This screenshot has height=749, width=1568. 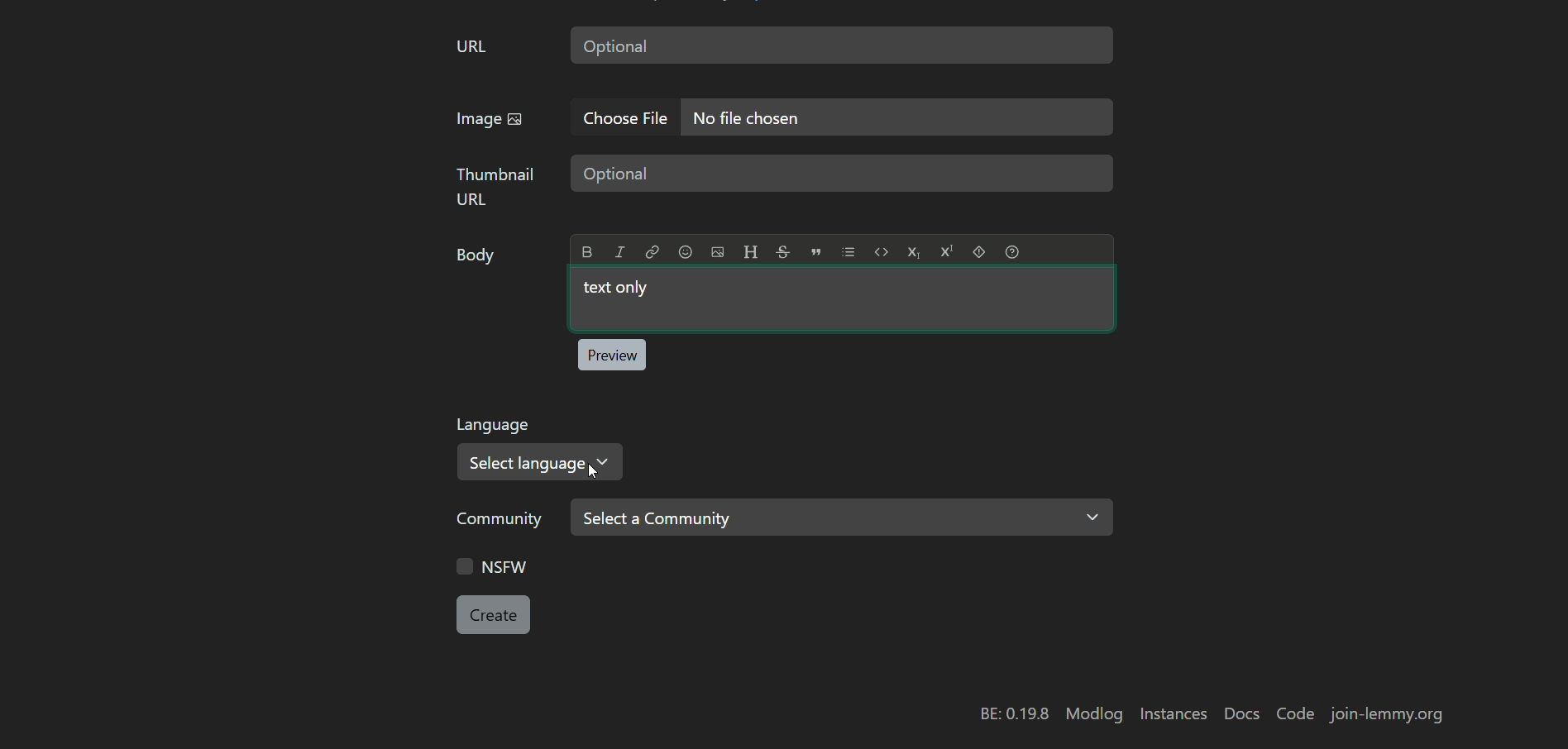 I want to click on code, so click(x=1298, y=715).